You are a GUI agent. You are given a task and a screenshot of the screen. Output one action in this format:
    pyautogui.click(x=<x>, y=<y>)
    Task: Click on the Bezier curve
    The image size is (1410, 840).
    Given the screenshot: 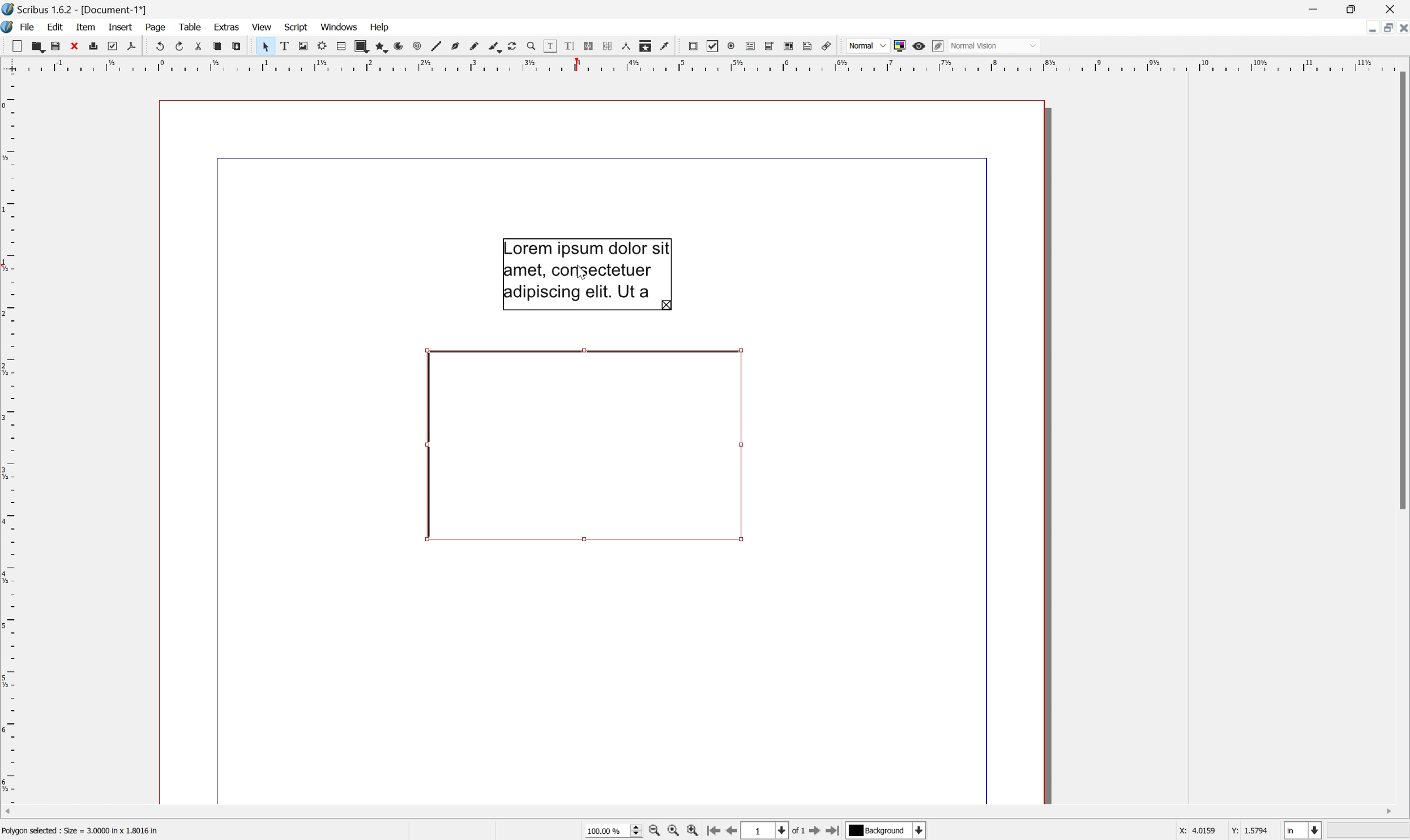 What is the action you would take?
    pyautogui.click(x=452, y=48)
    